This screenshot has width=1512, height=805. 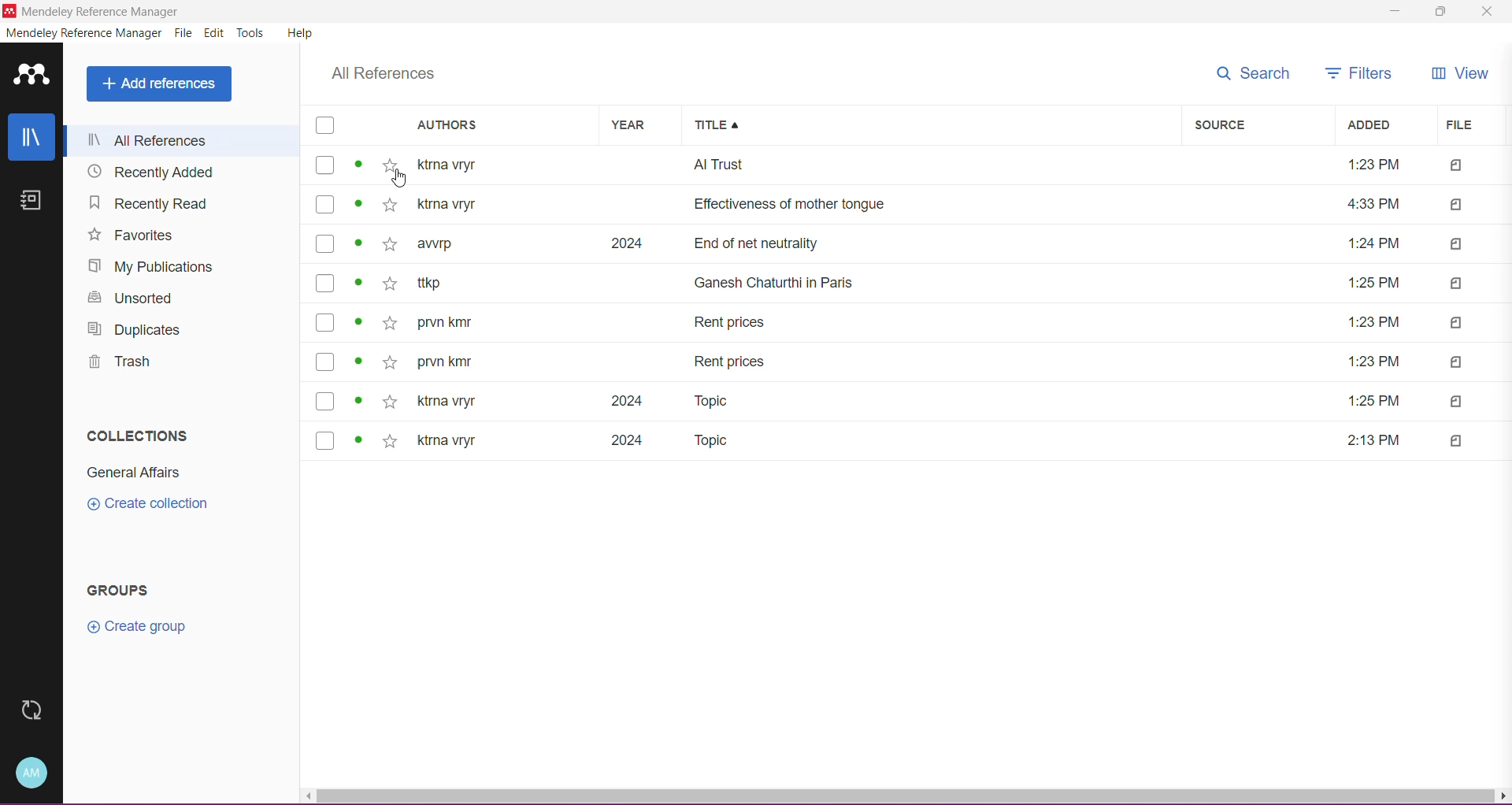 I want to click on Add to favorite, so click(x=389, y=165).